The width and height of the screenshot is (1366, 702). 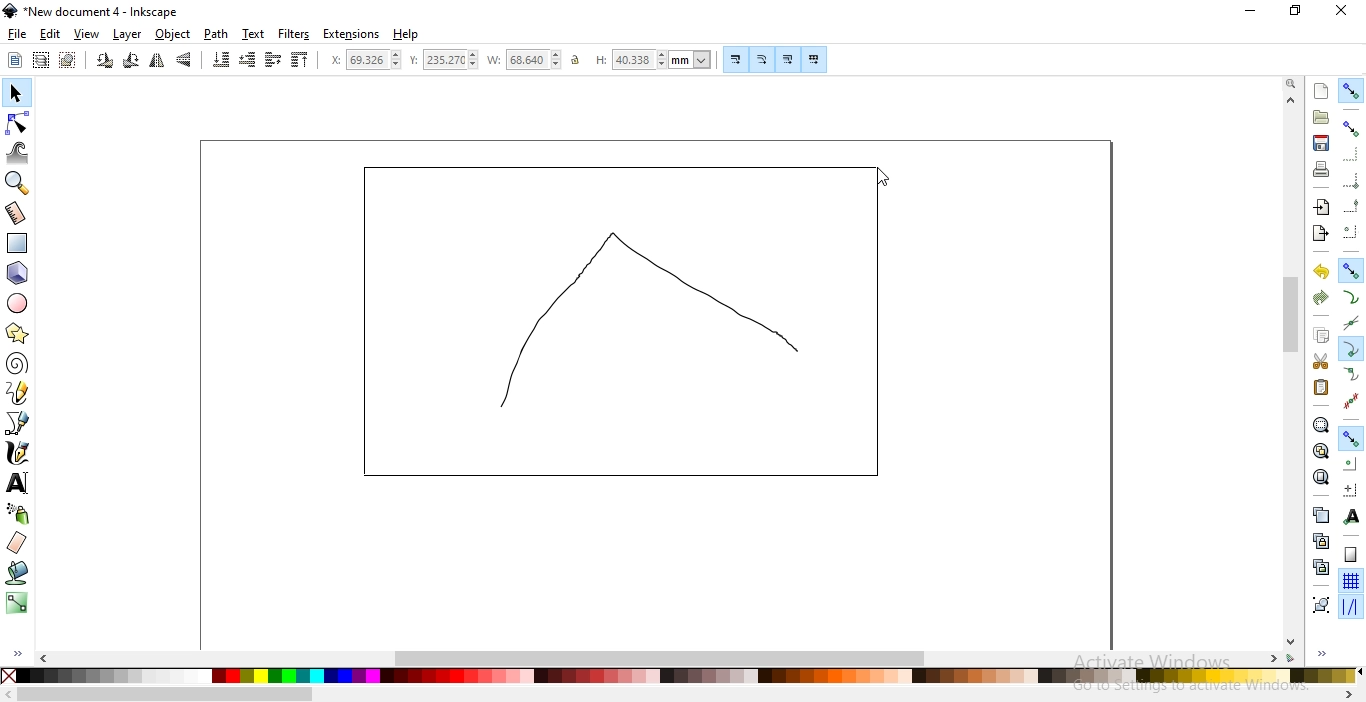 What do you see at coordinates (1349, 155) in the screenshot?
I see `snap to edges of bounding boxes` at bounding box center [1349, 155].